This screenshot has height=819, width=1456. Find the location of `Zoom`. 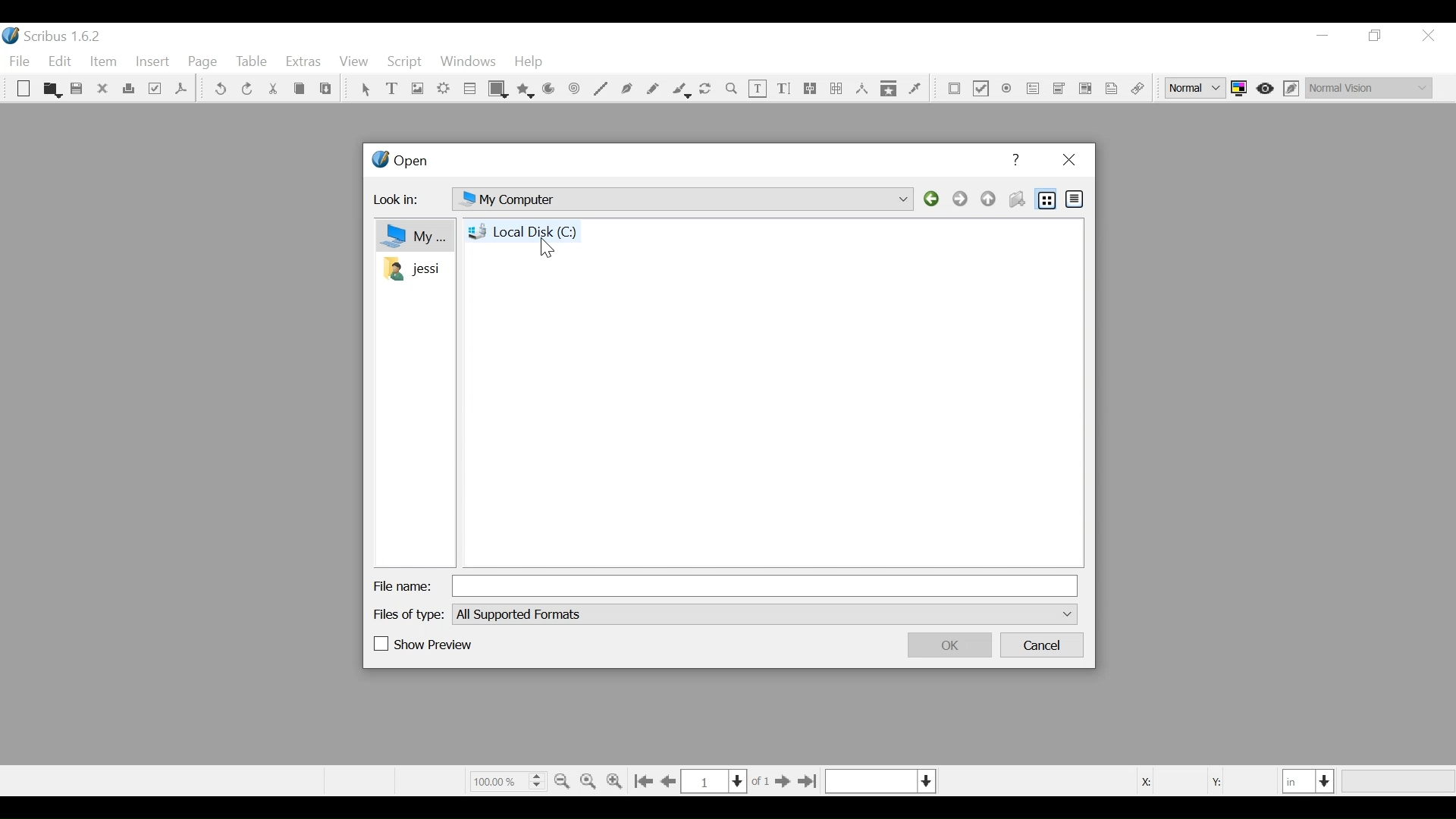

Zoom is located at coordinates (732, 89).